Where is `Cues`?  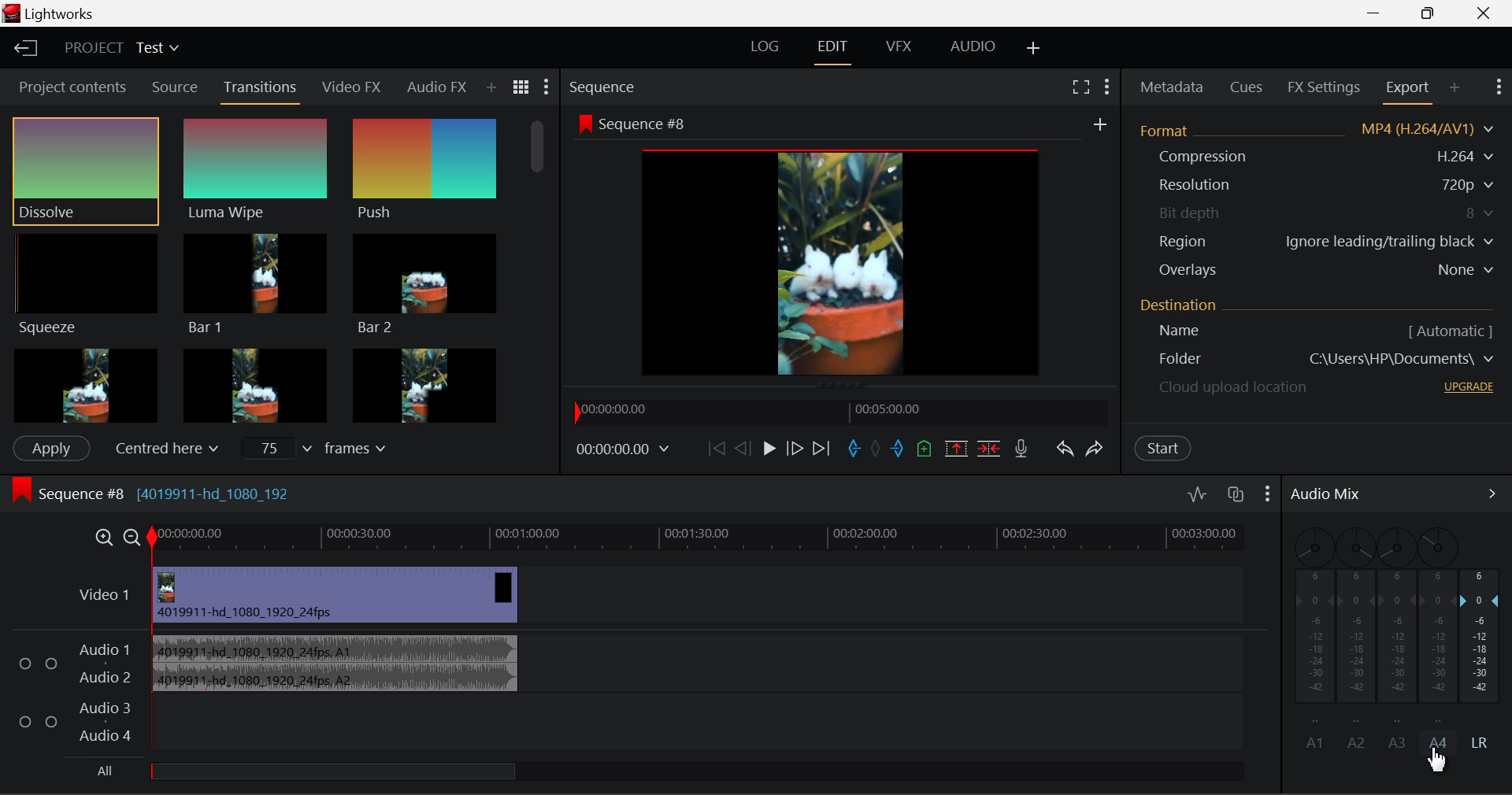 Cues is located at coordinates (1246, 86).